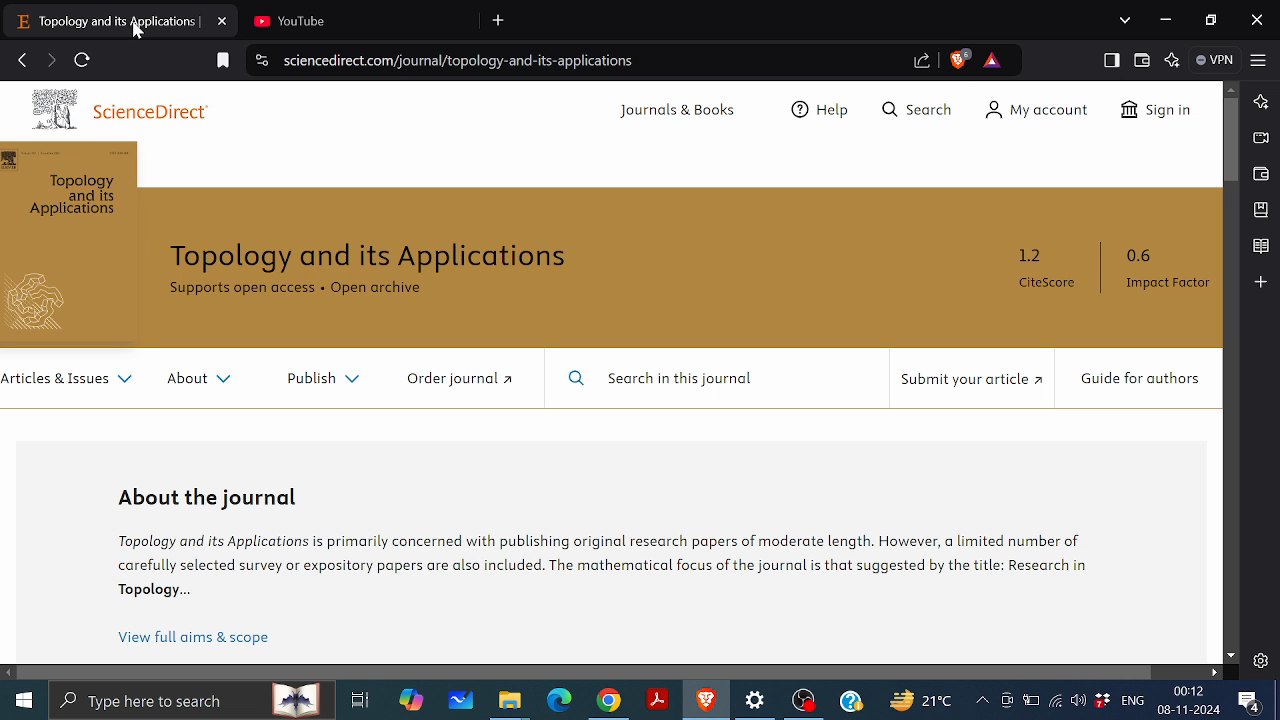 This screenshot has width=1280, height=720. I want to click on VPN, so click(1217, 60).